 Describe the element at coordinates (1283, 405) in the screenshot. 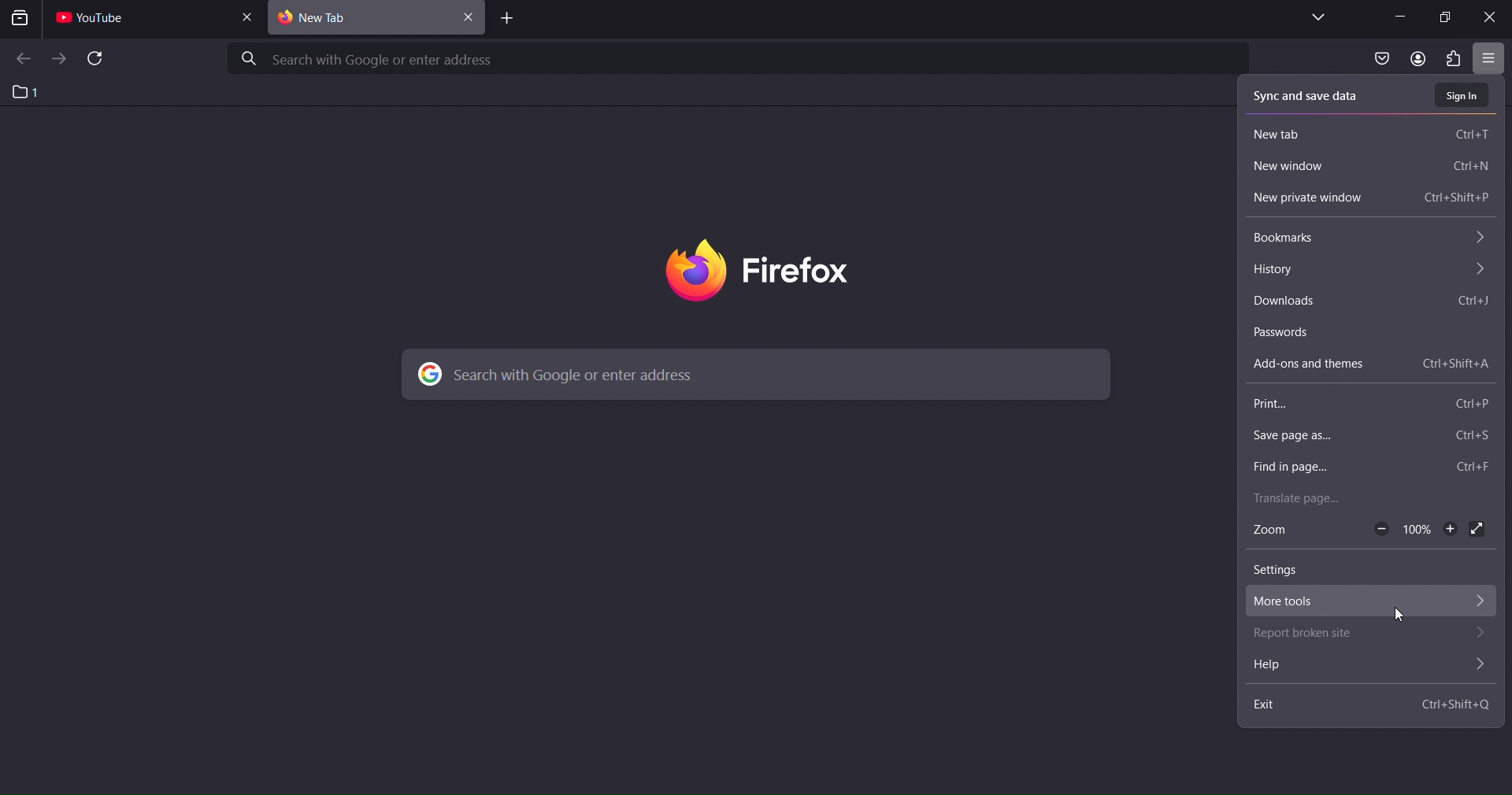

I see `print` at that location.